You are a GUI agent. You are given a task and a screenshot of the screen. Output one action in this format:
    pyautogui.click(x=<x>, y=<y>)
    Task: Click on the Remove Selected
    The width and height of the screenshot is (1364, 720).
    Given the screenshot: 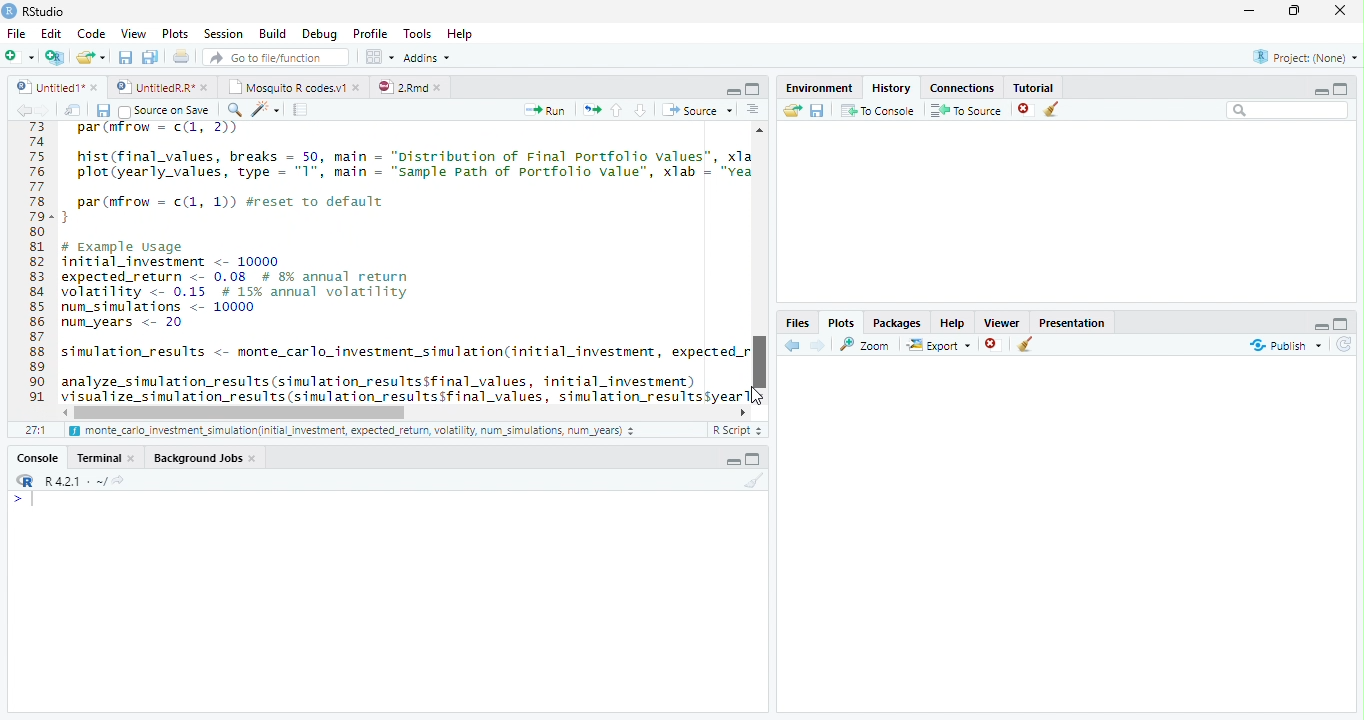 What is the action you would take?
    pyautogui.click(x=1027, y=109)
    